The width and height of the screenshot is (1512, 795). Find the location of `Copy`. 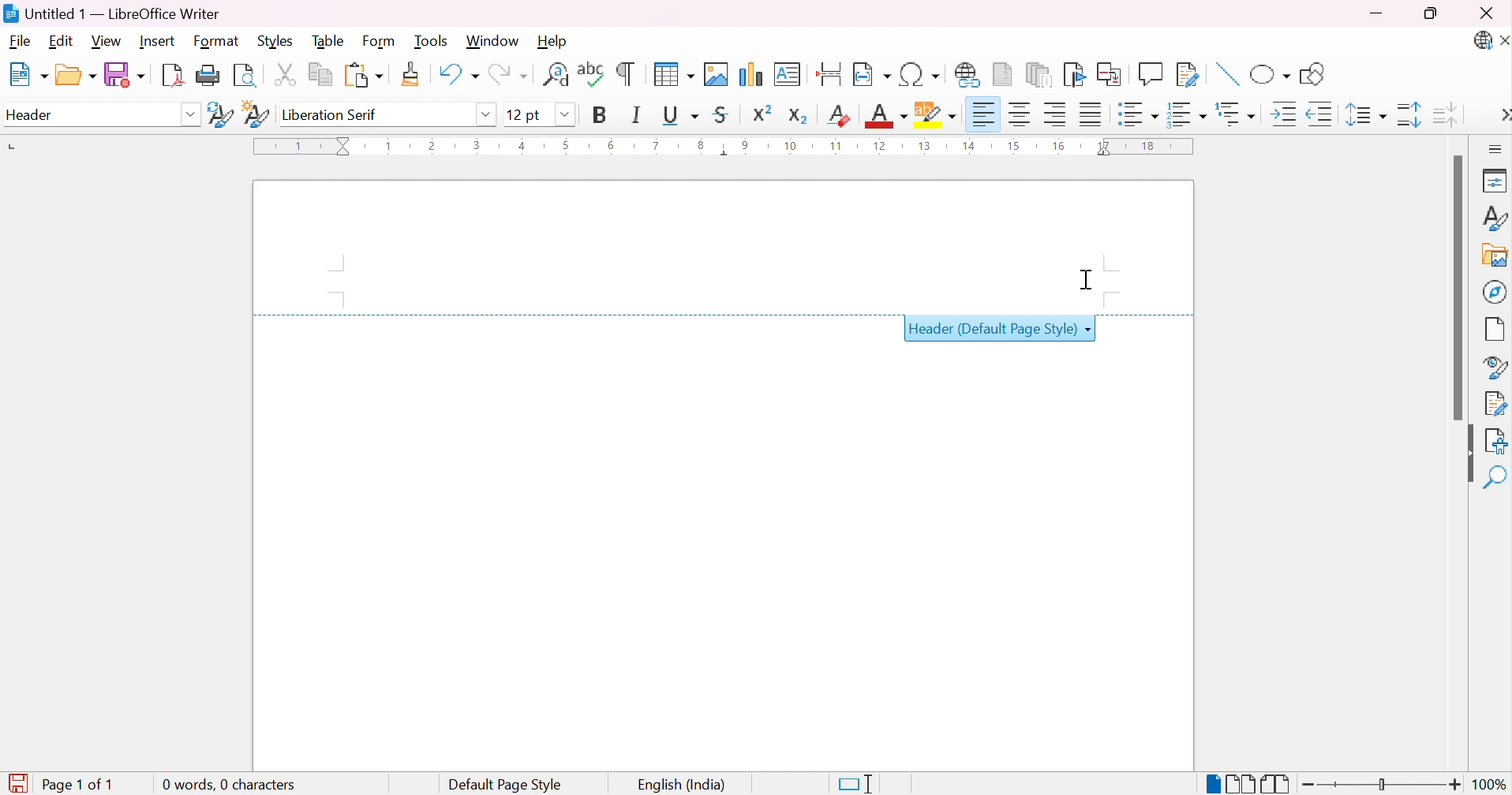

Copy is located at coordinates (320, 73).